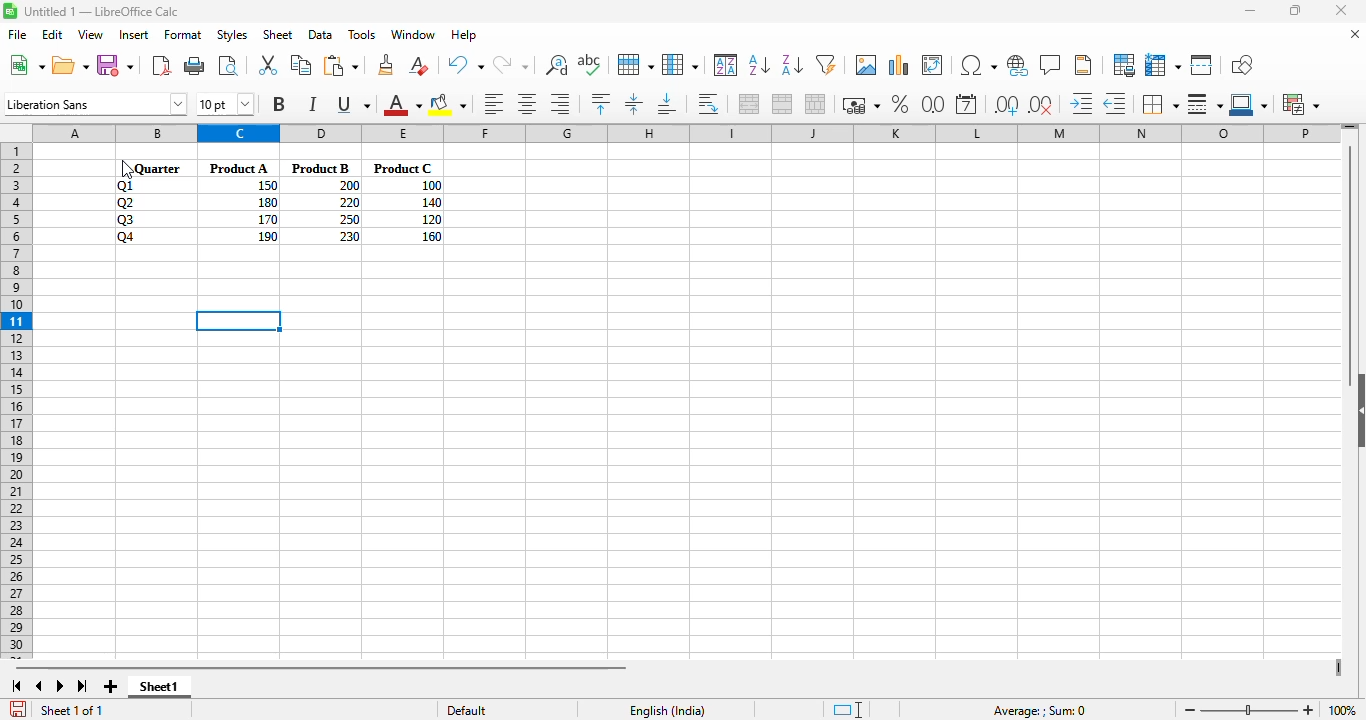 The image size is (1366, 720). Describe the element at coordinates (1051, 65) in the screenshot. I see `insert comment` at that location.